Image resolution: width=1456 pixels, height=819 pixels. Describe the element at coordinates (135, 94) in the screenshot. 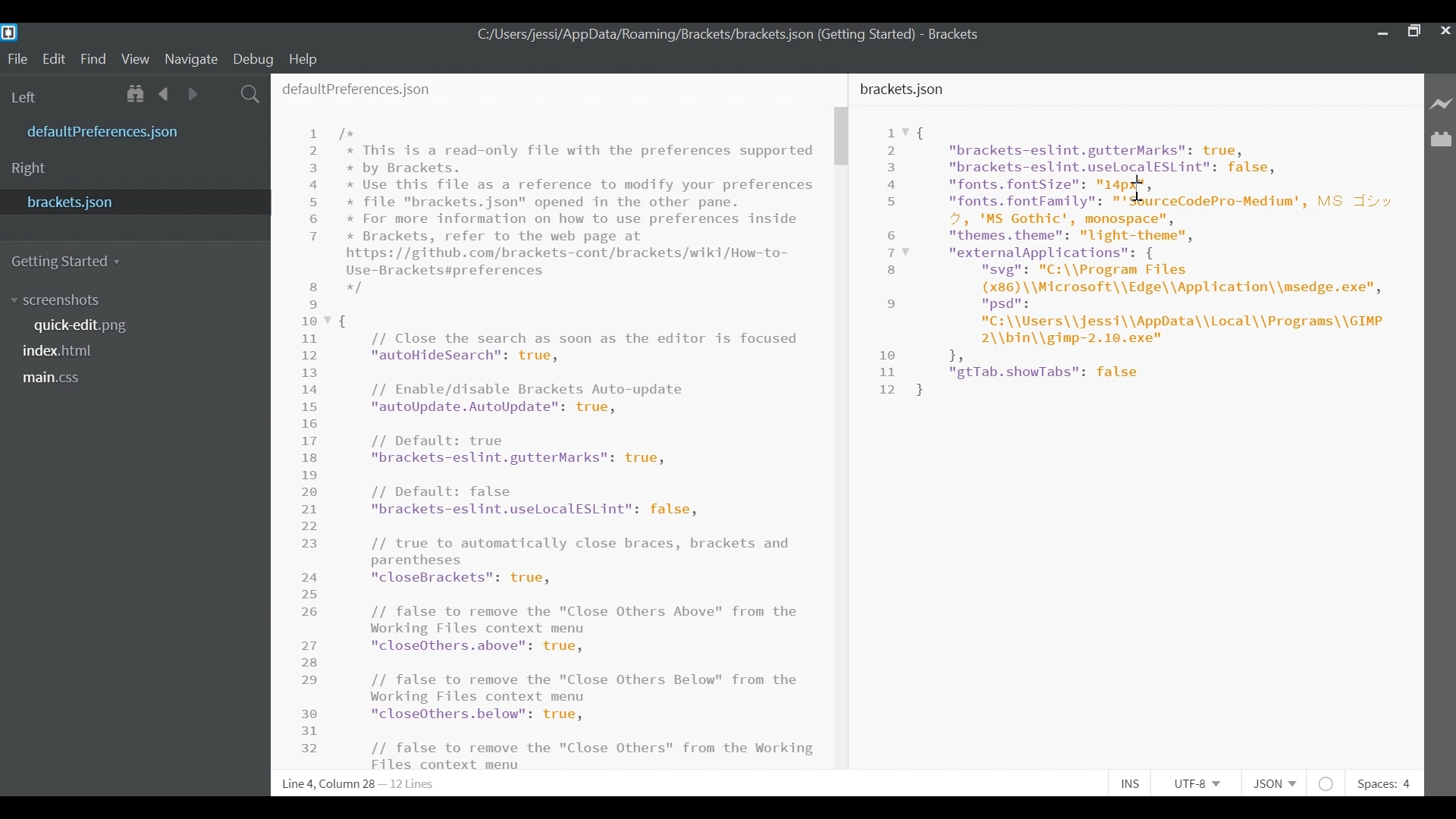

I see `Show in File tree` at that location.